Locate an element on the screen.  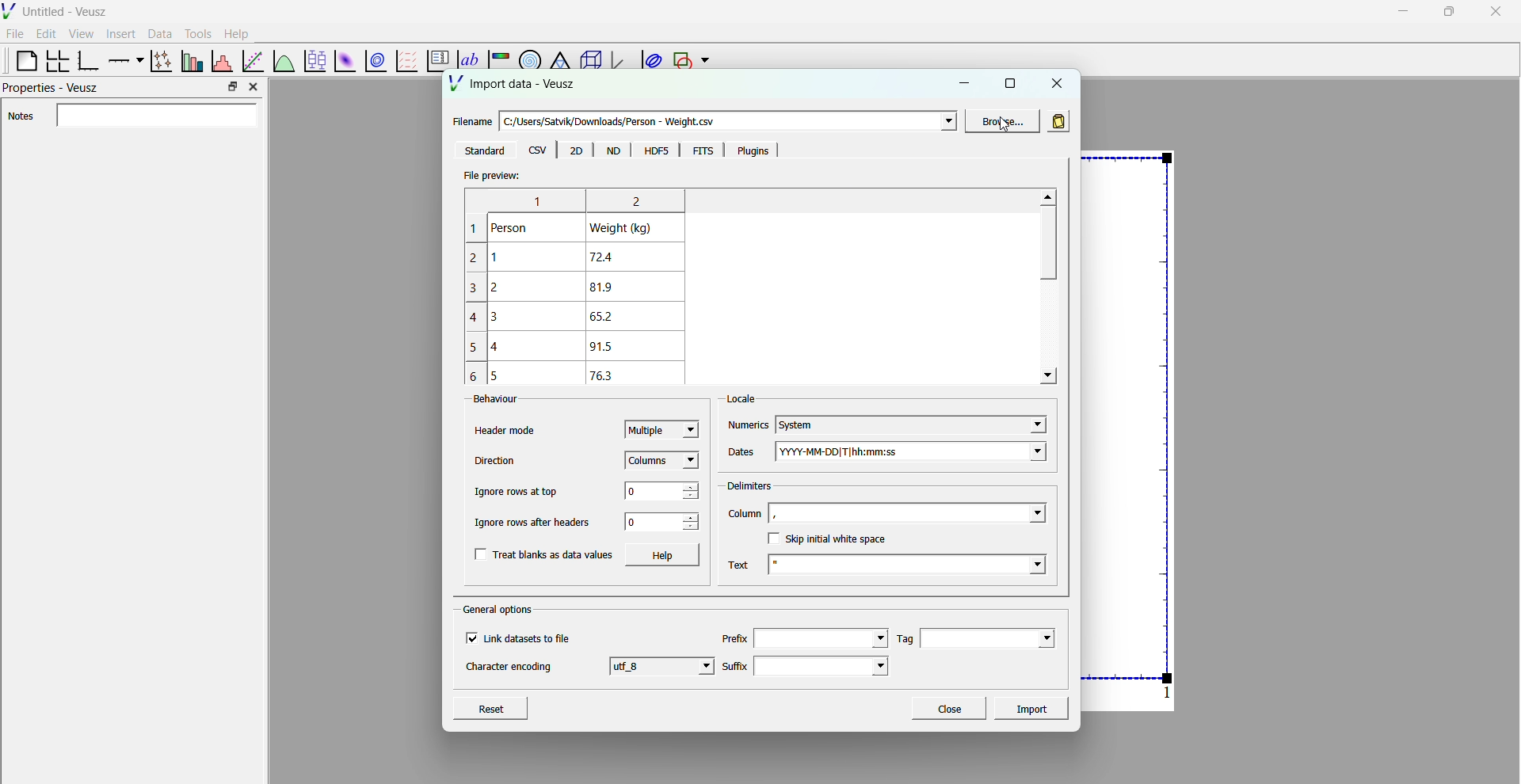
 SKIp inital white space is located at coordinates (833, 538).